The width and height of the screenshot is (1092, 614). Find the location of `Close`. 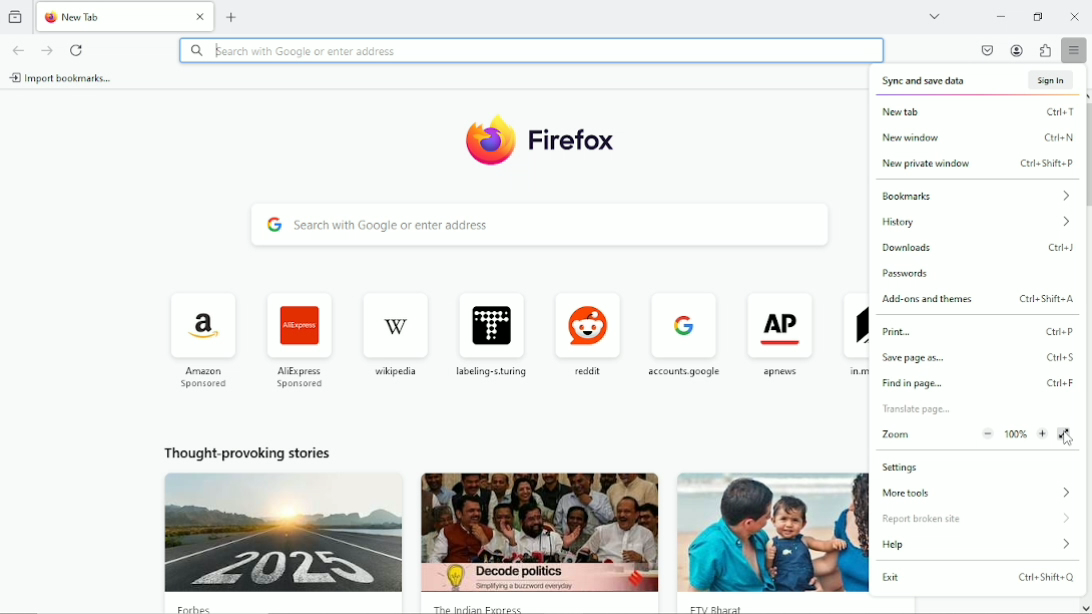

Close is located at coordinates (1074, 16).